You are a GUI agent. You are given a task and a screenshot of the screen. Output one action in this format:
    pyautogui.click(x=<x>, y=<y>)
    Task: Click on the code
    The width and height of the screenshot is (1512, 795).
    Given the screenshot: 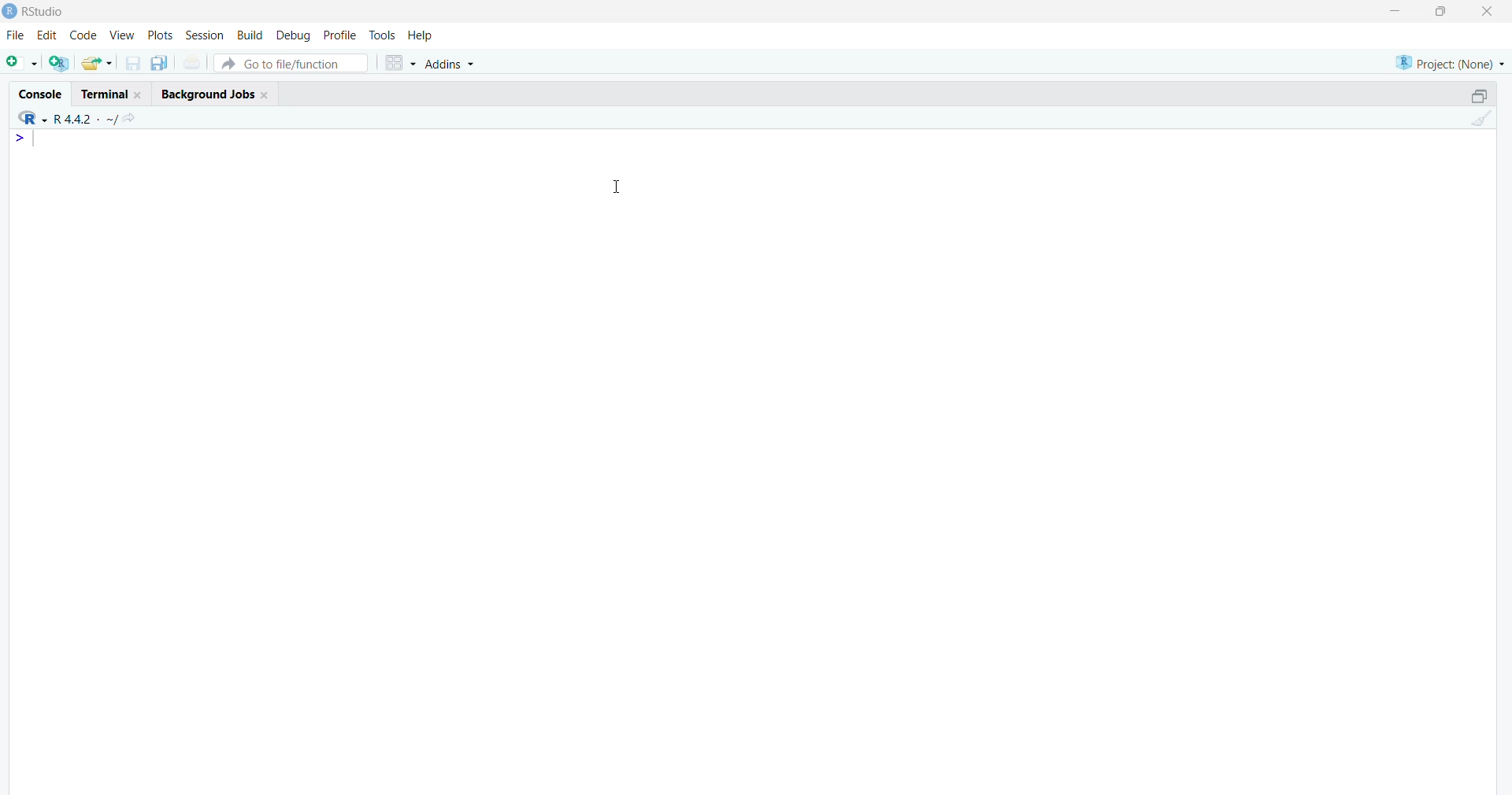 What is the action you would take?
    pyautogui.click(x=83, y=35)
    